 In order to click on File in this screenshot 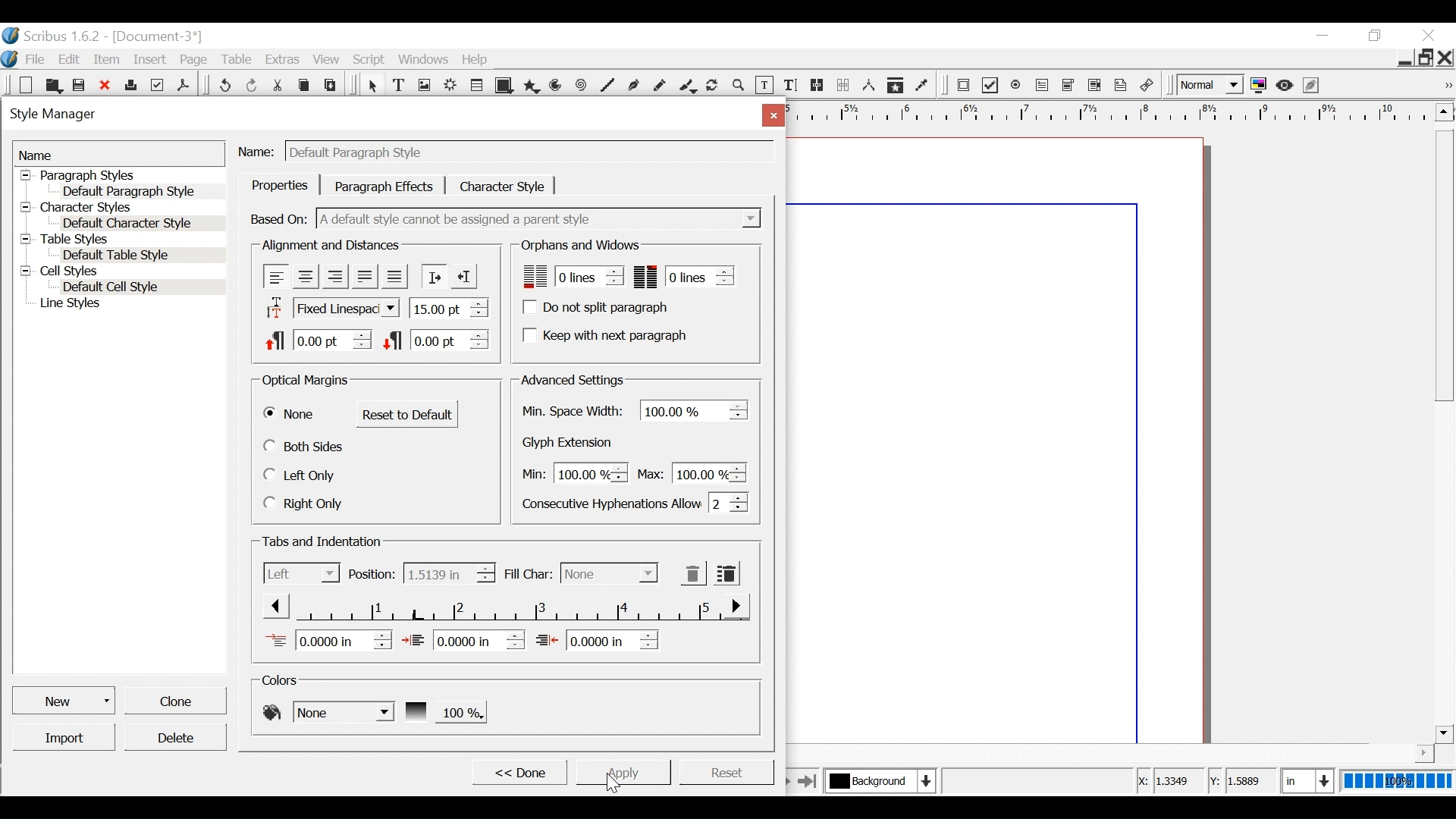, I will do `click(35, 59)`.